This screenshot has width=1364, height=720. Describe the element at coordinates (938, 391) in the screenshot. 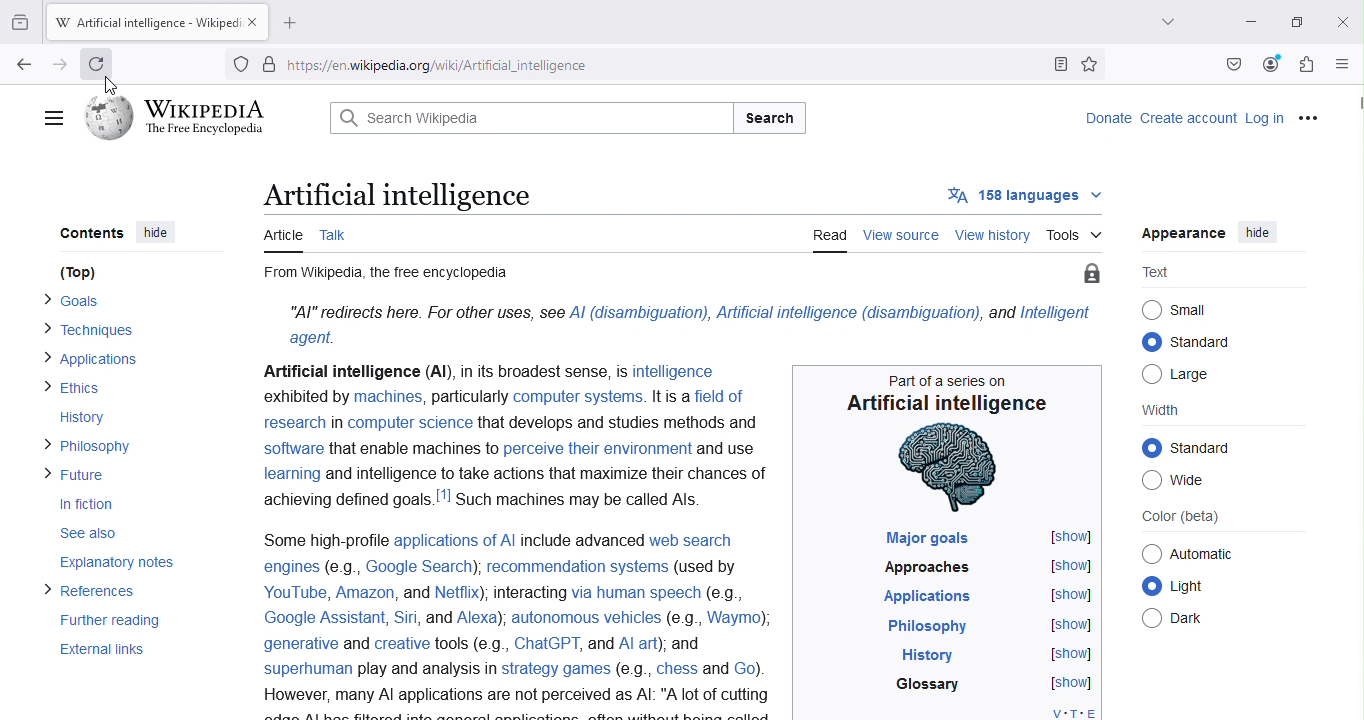

I see `Part of a series on Artificial intelligence` at that location.